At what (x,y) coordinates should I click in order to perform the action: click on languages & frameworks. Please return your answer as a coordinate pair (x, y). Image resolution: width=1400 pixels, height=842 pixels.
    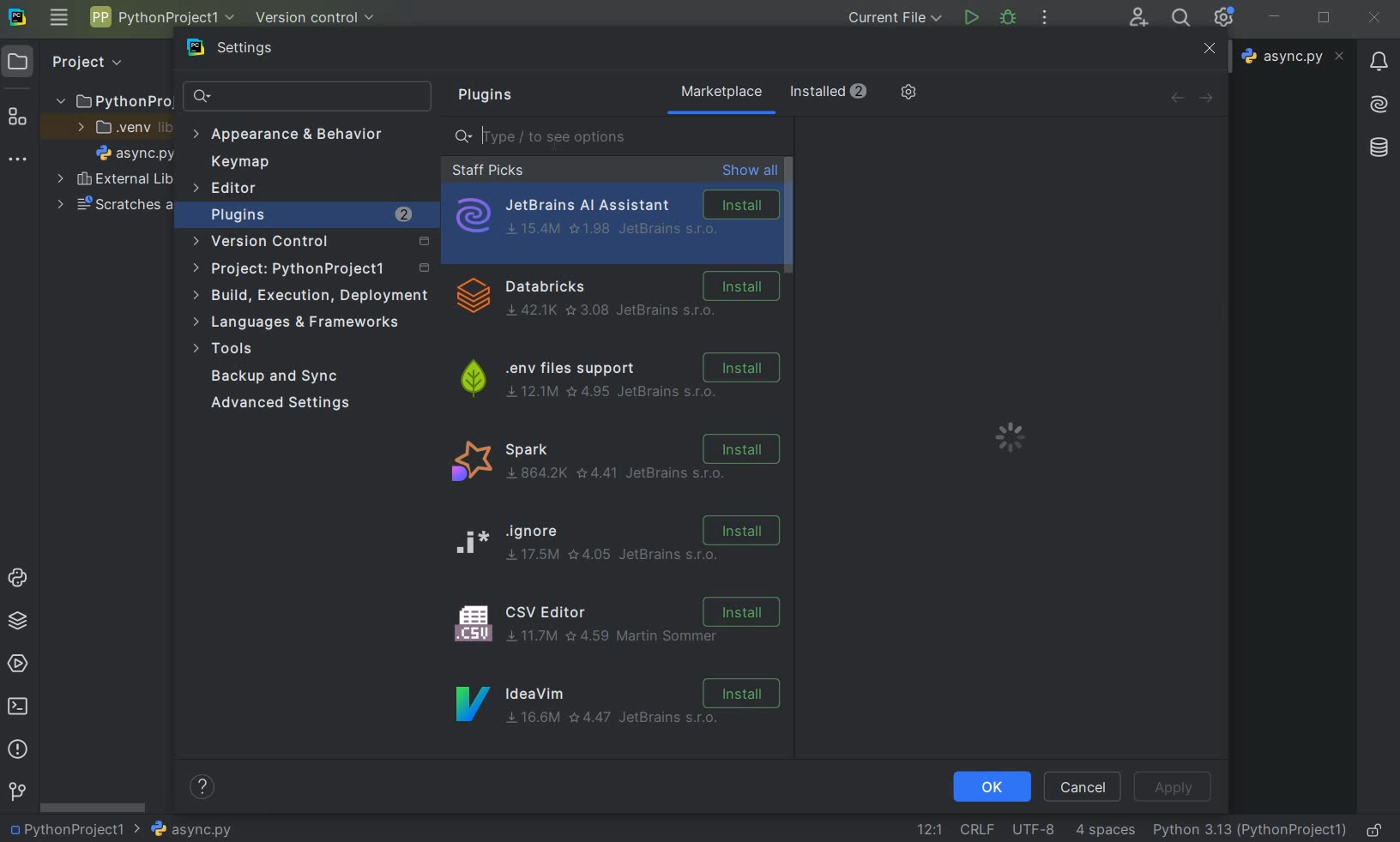
    Looking at the image, I should click on (305, 322).